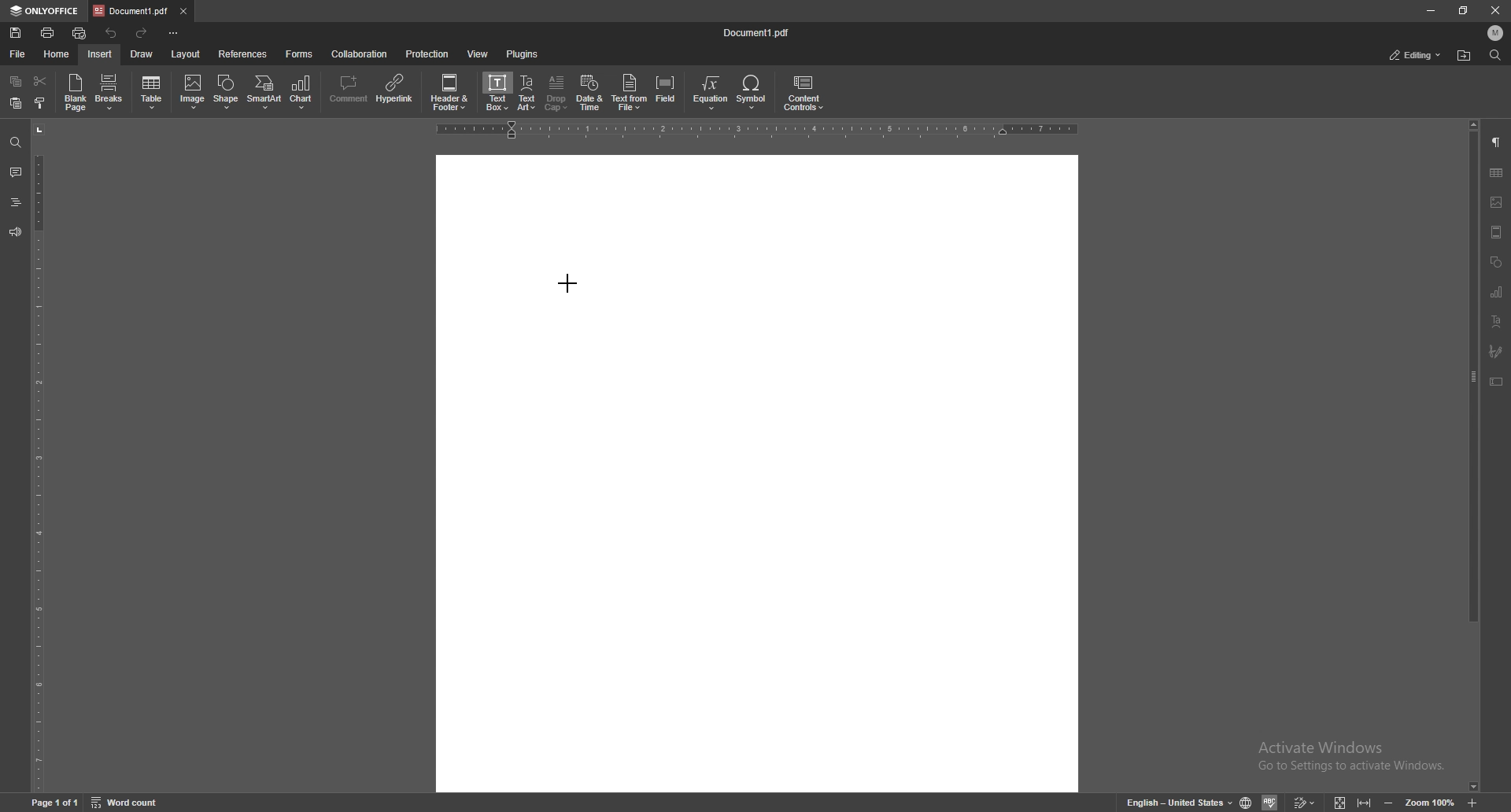 The height and width of the screenshot is (812, 1511). Describe the element at coordinates (1247, 803) in the screenshot. I see `set doc language` at that location.